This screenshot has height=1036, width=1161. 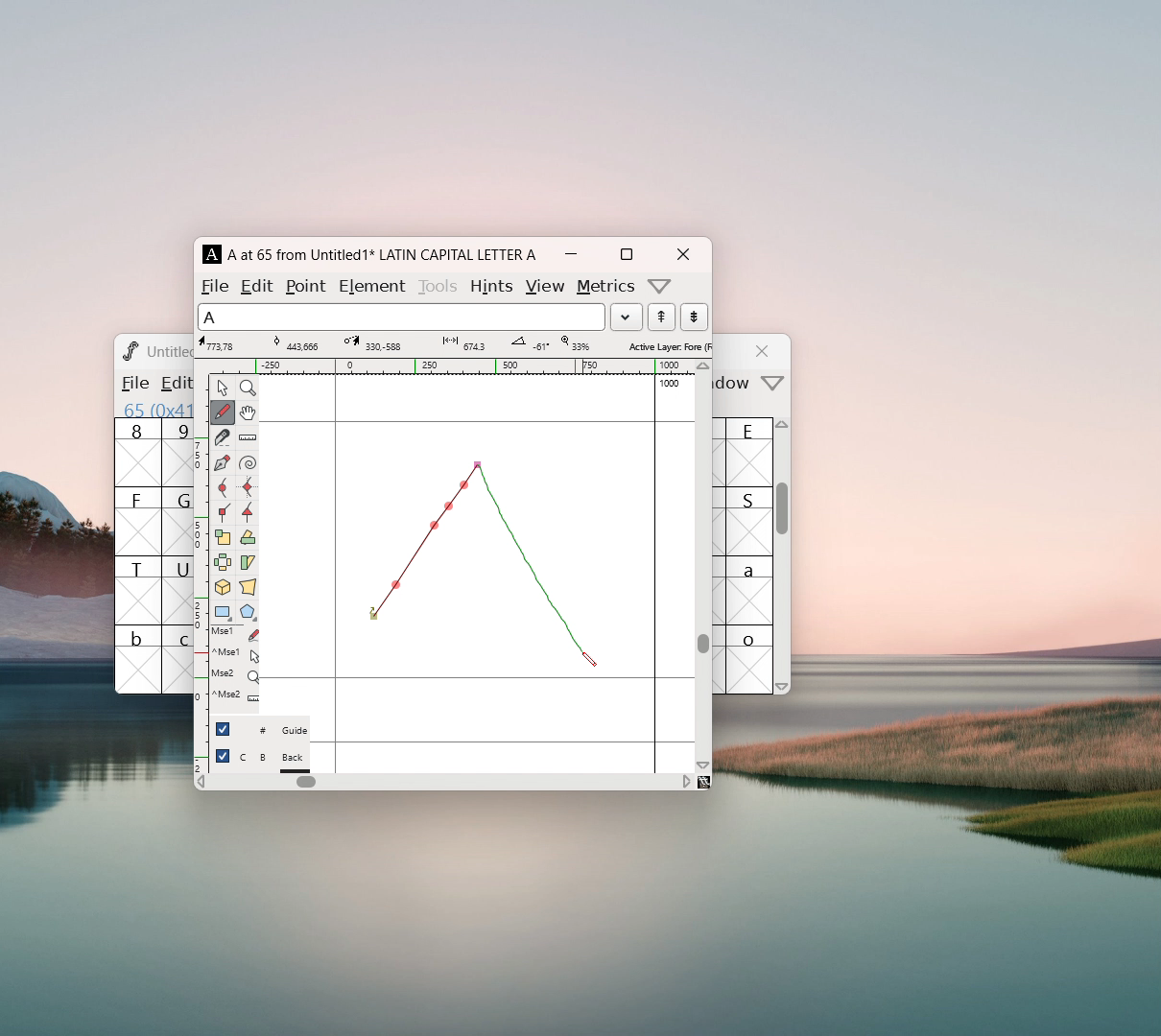 What do you see at coordinates (222, 464) in the screenshot?
I see `add a point then drag out its conttrol points` at bounding box center [222, 464].